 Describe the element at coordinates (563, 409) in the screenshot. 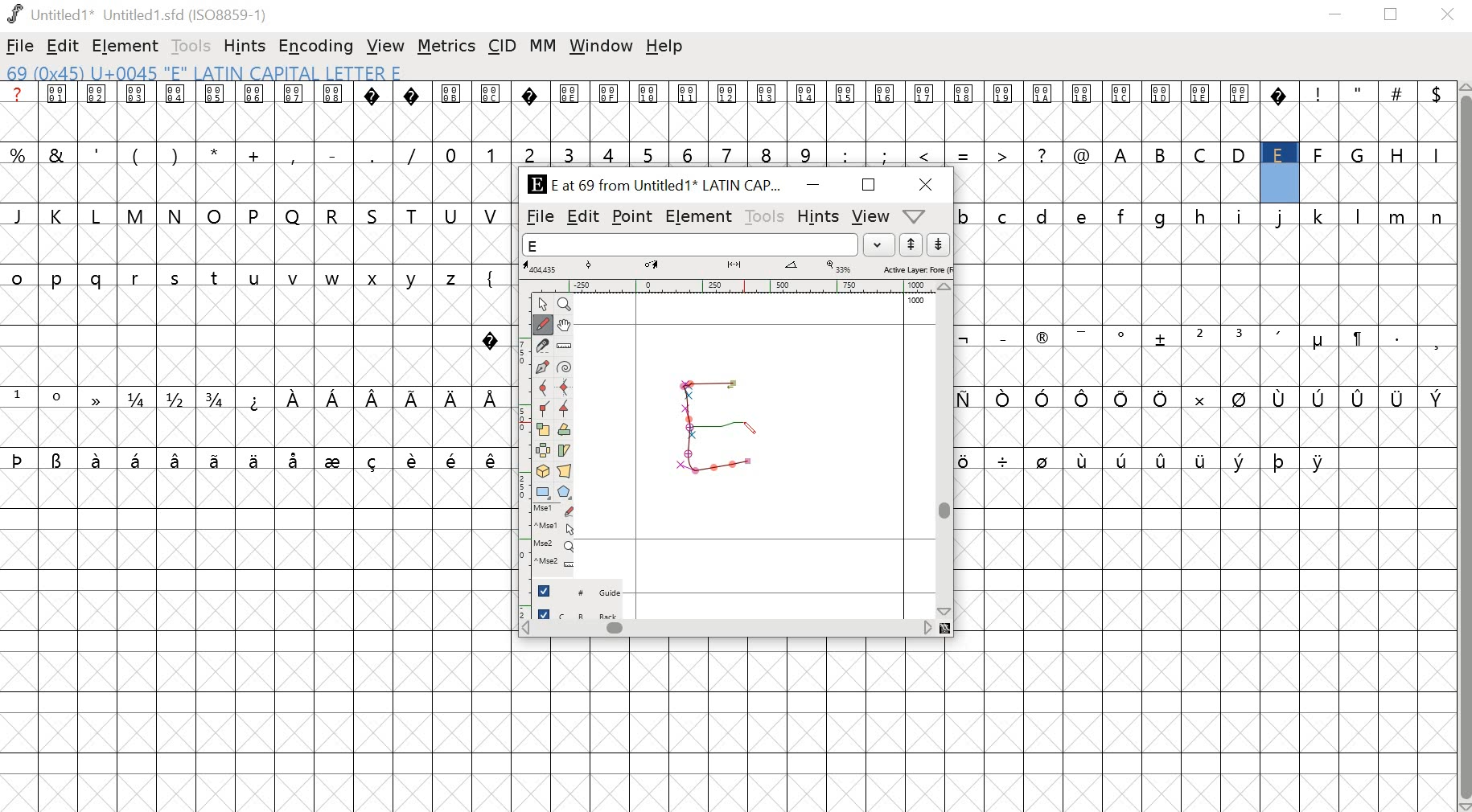

I see `Tangent` at that location.